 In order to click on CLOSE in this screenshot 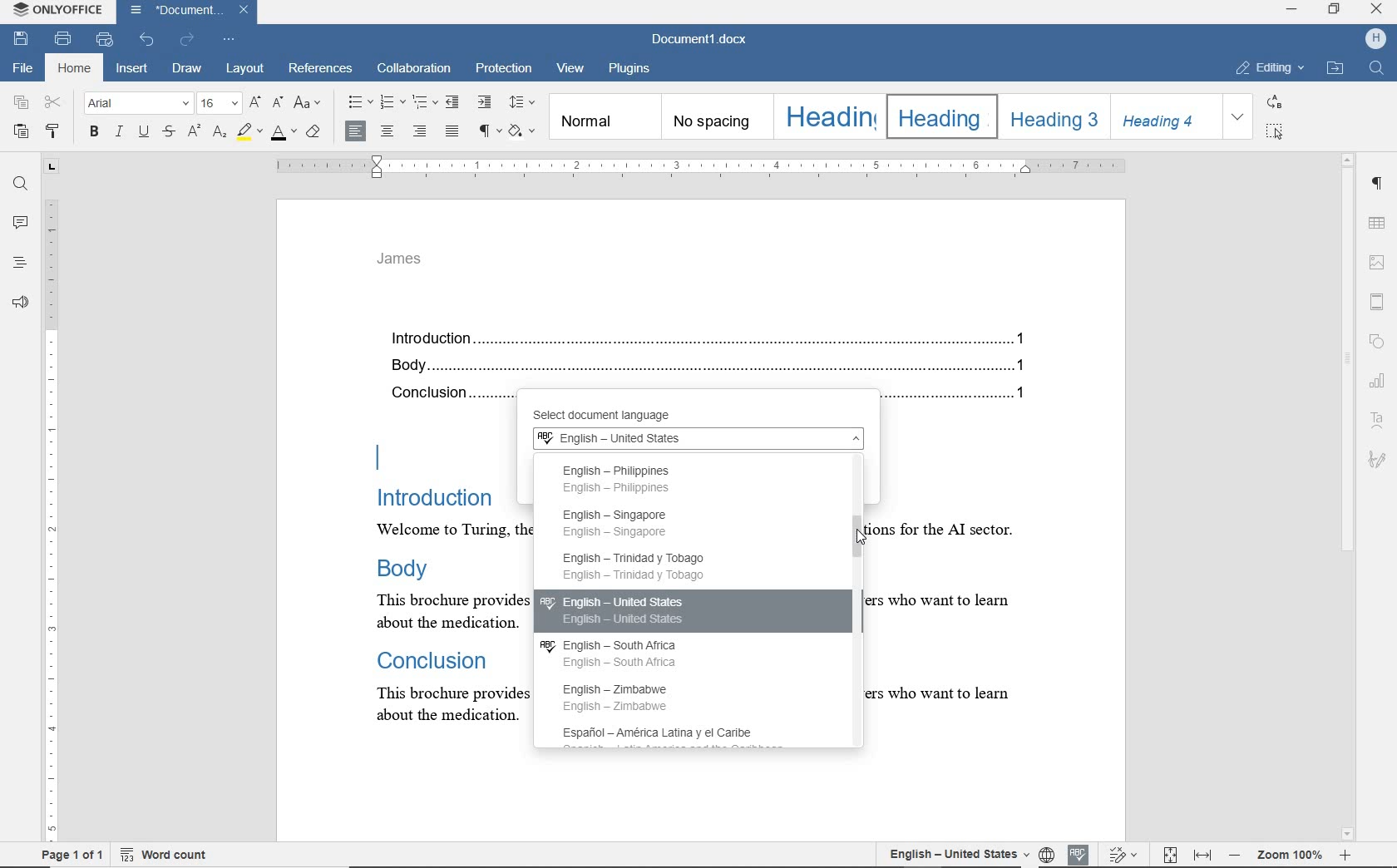, I will do `click(1375, 9)`.